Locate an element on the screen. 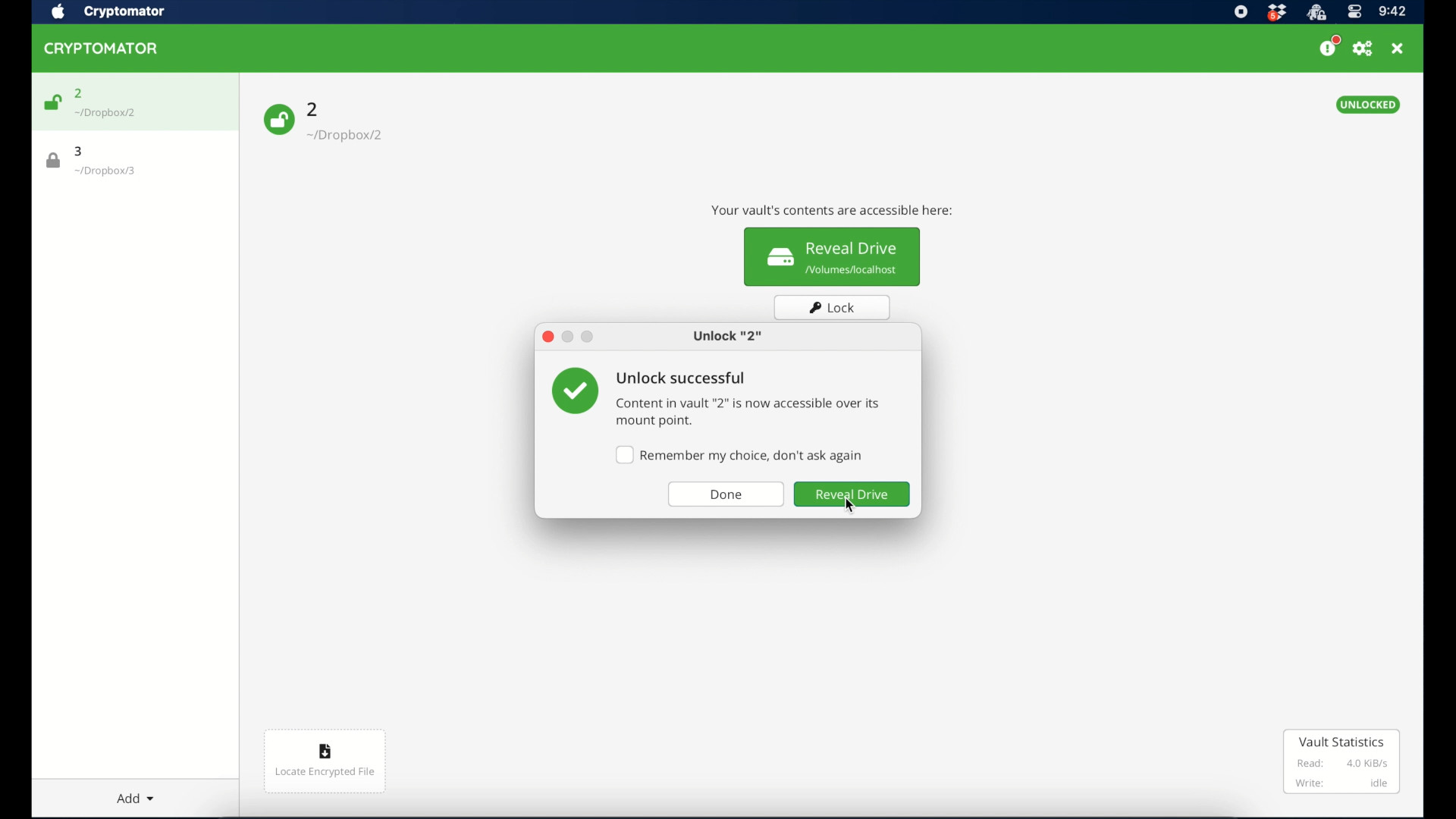 This screenshot has width=1456, height=819. checkmark is located at coordinates (576, 391).